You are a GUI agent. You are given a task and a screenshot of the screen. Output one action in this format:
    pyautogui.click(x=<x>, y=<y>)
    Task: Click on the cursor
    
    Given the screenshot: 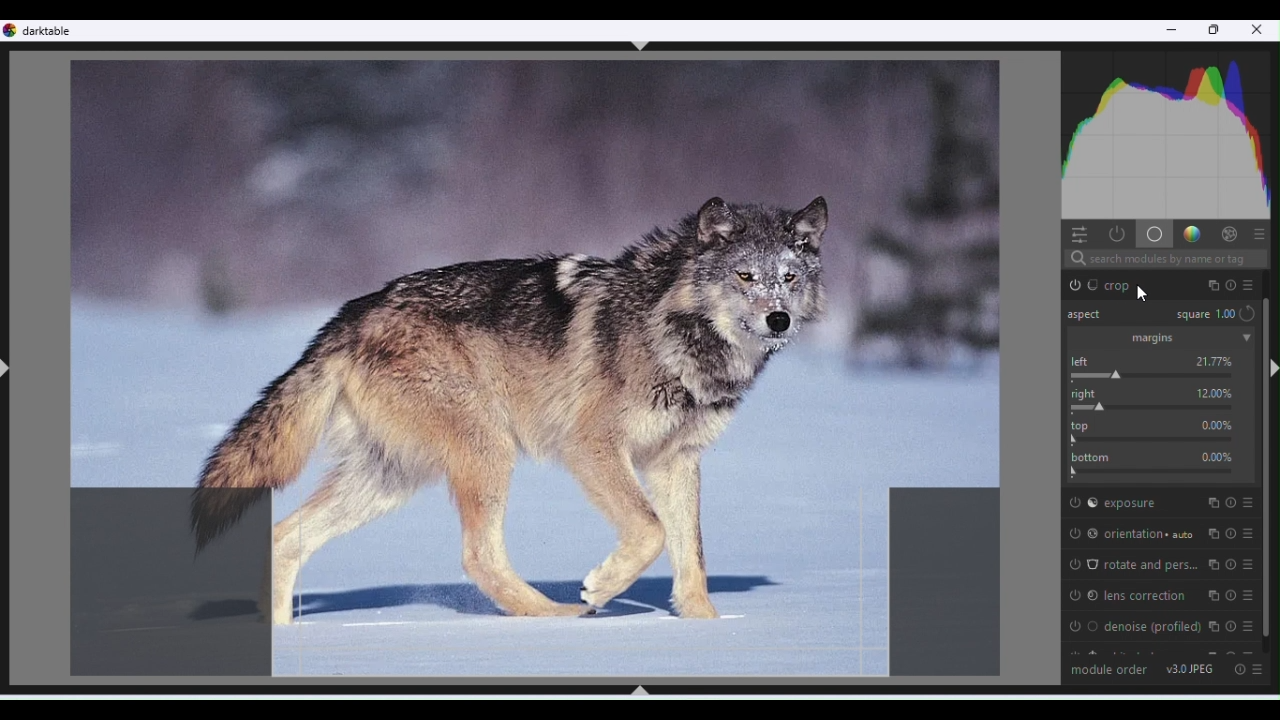 What is the action you would take?
    pyautogui.click(x=1142, y=292)
    